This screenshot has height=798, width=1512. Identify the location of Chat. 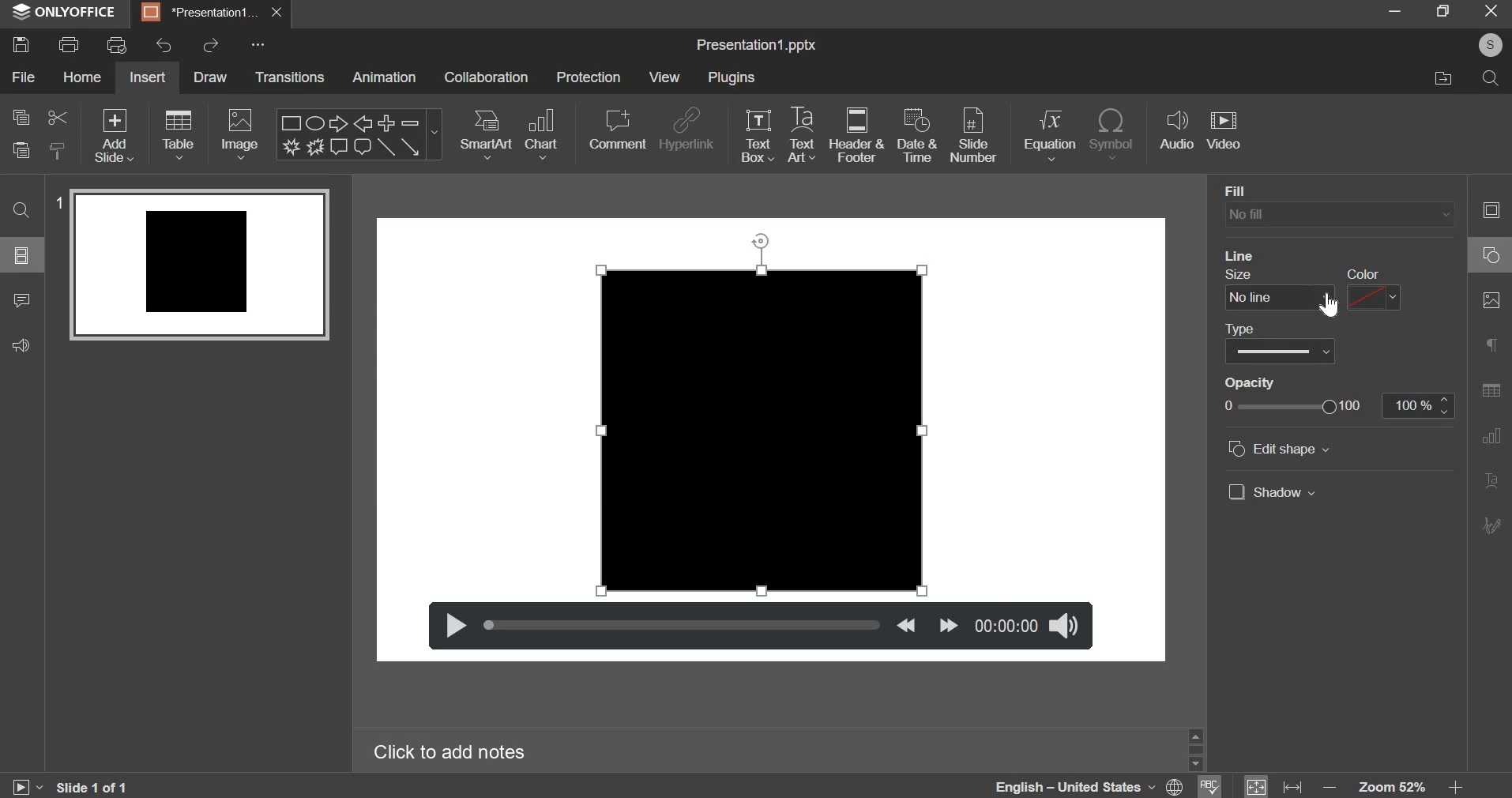
(363, 148).